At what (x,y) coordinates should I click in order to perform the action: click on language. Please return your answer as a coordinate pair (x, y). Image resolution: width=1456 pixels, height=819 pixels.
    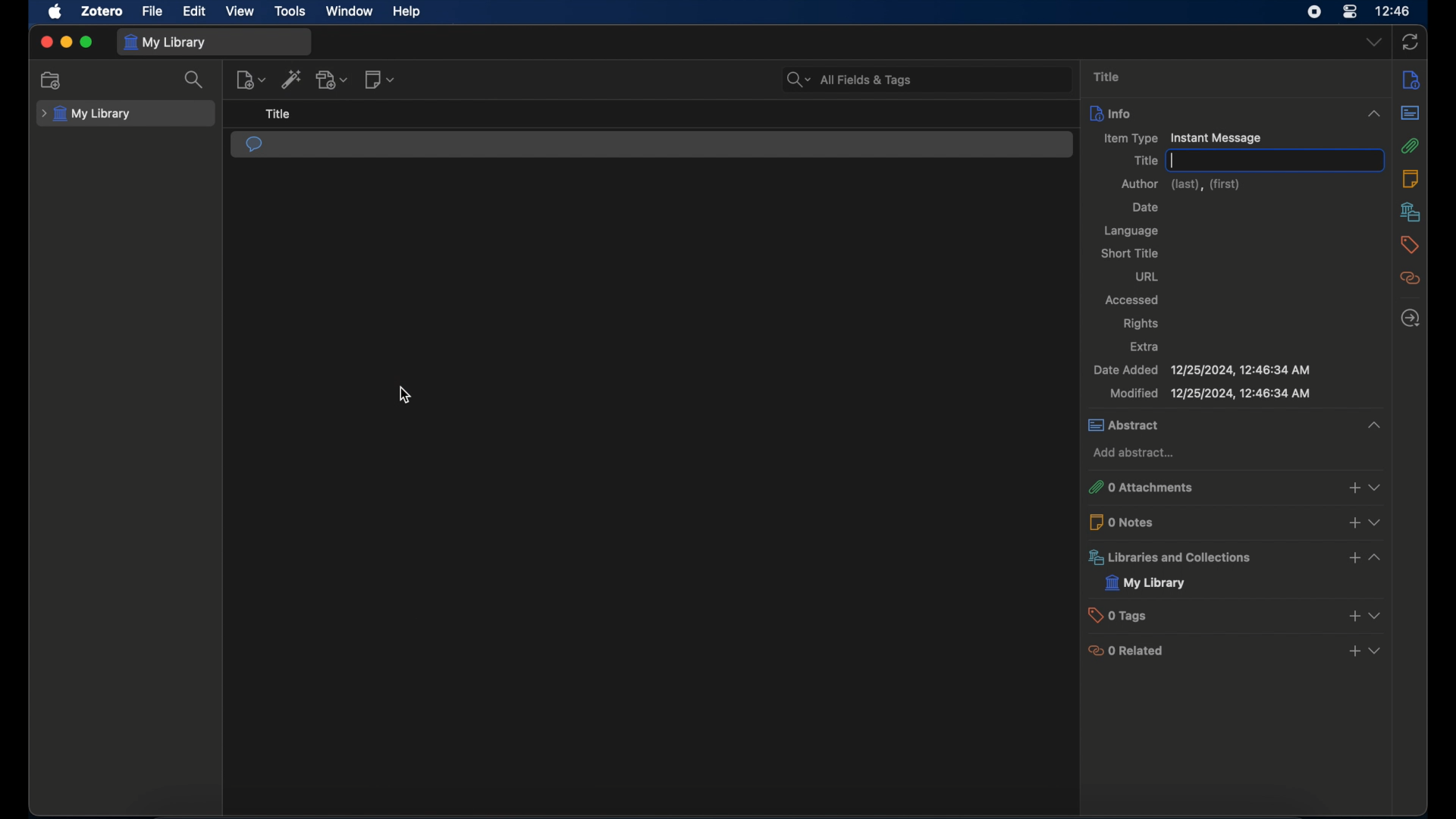
    Looking at the image, I should click on (1132, 231).